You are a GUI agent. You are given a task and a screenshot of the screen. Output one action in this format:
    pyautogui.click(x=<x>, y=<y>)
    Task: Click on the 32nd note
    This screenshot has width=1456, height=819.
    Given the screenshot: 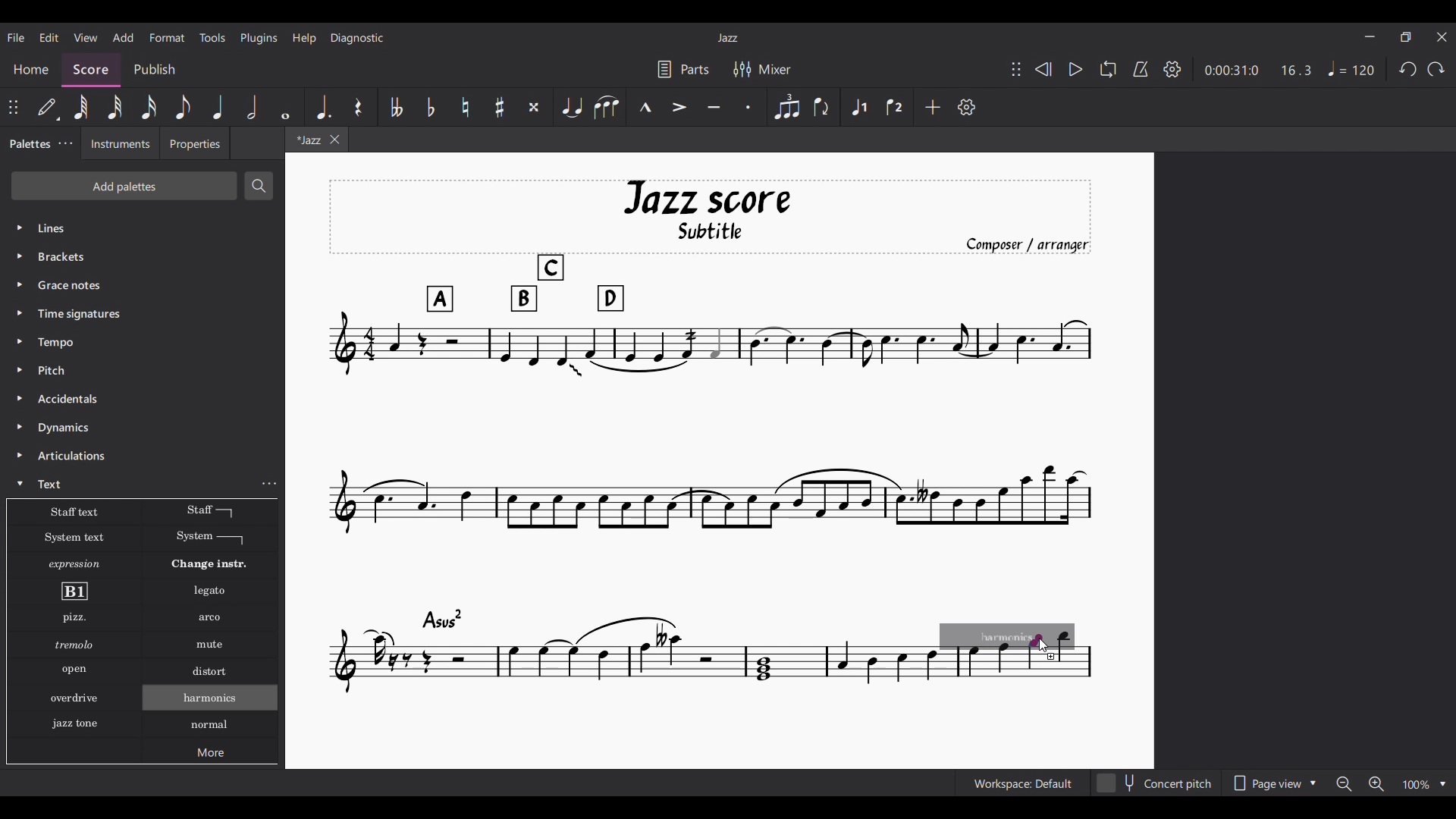 What is the action you would take?
    pyautogui.click(x=114, y=107)
    